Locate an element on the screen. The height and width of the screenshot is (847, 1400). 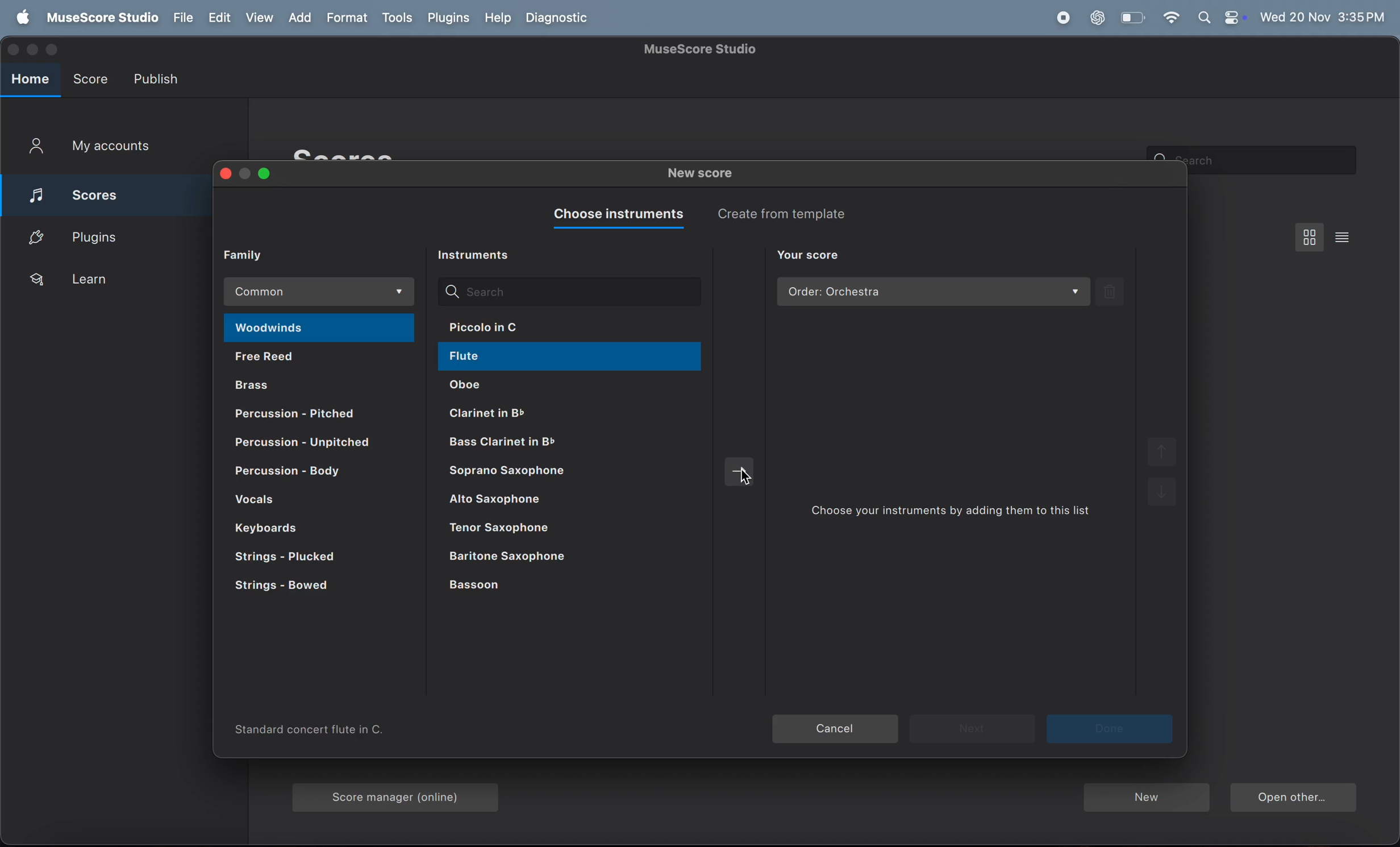
page title is located at coordinates (703, 49).